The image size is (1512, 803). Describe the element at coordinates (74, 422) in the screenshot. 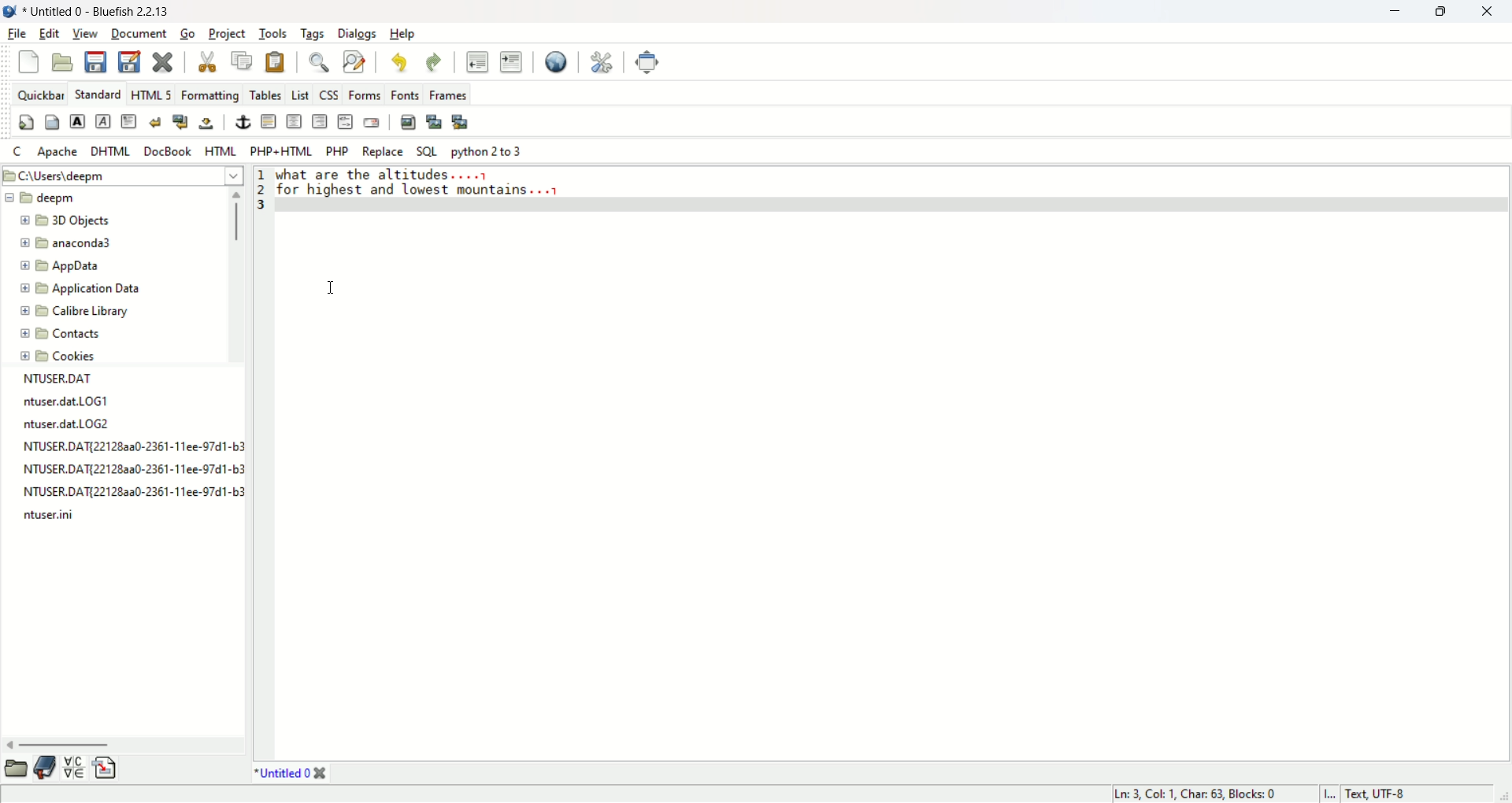

I see `file name` at that location.